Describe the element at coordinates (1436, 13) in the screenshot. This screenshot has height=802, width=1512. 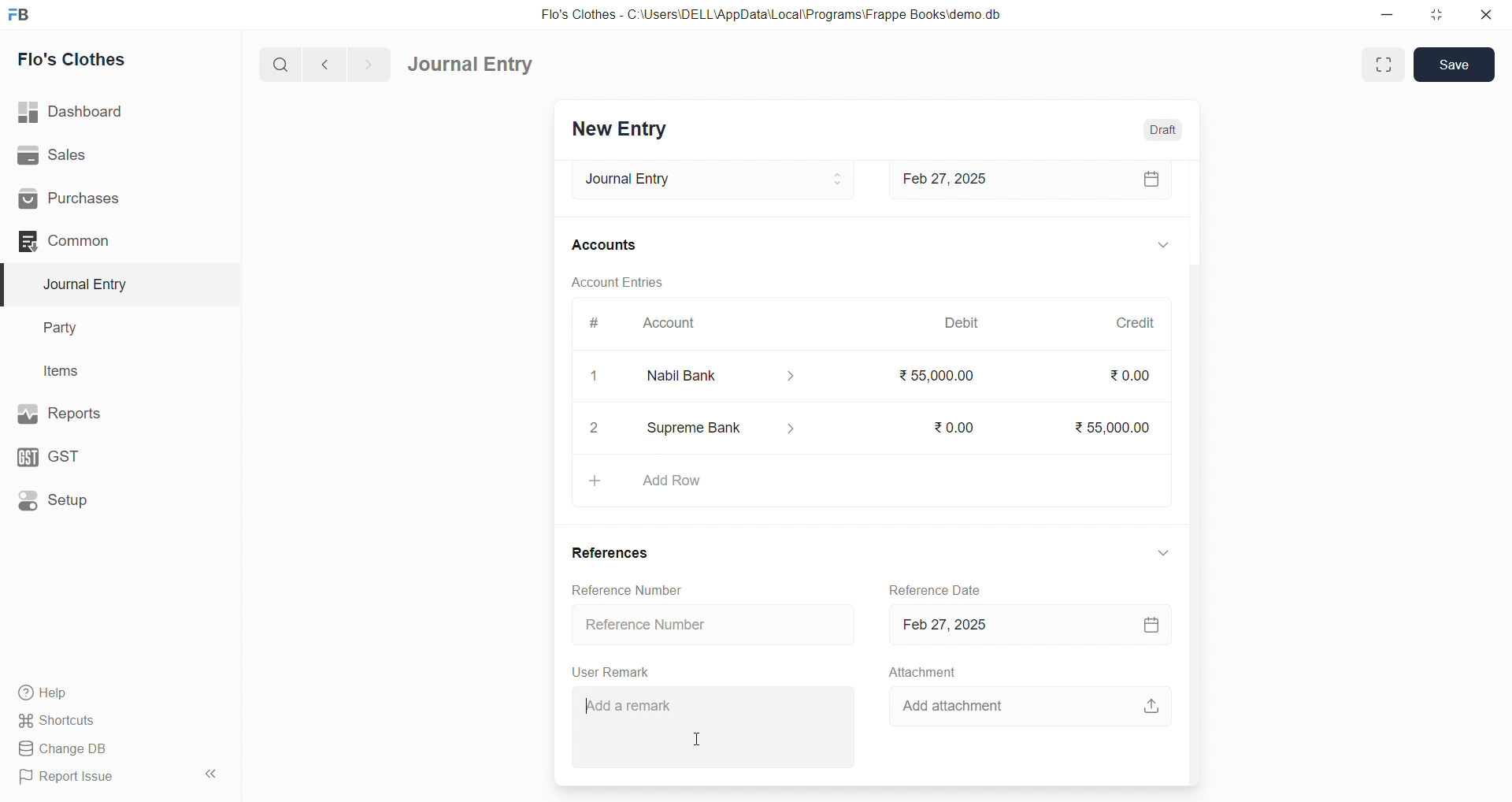
I see `resize` at that location.